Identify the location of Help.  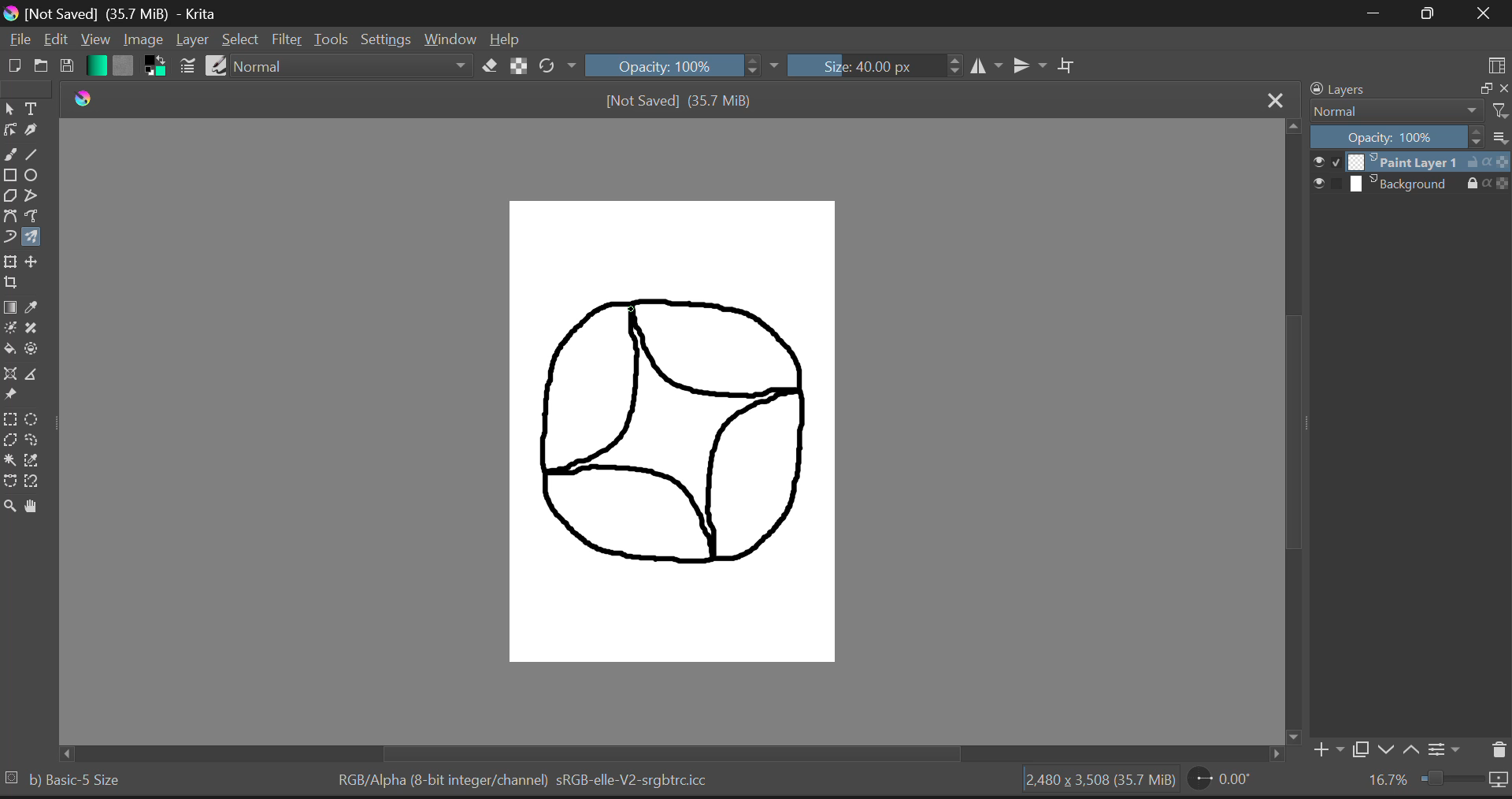
(506, 41).